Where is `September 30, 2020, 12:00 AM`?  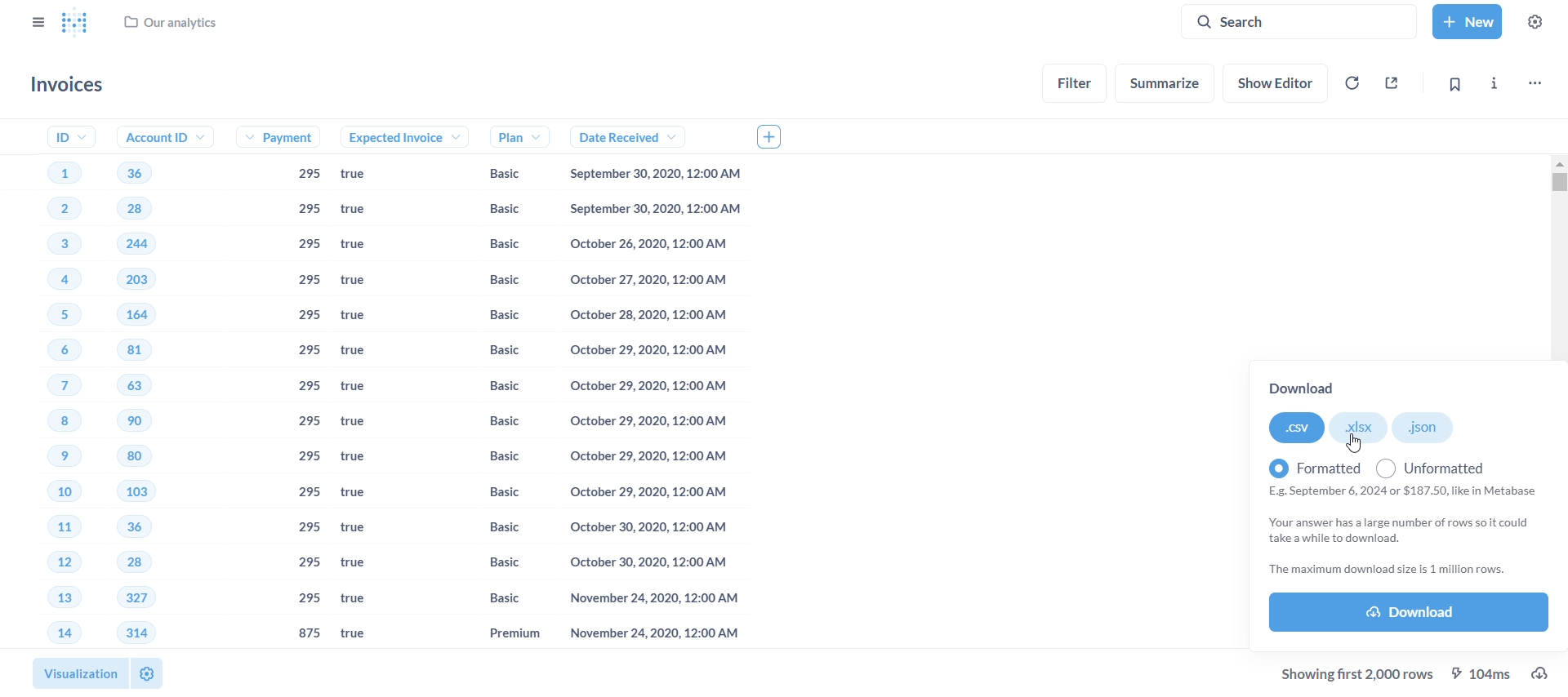 September 30, 2020, 12:00 AM is located at coordinates (660, 175).